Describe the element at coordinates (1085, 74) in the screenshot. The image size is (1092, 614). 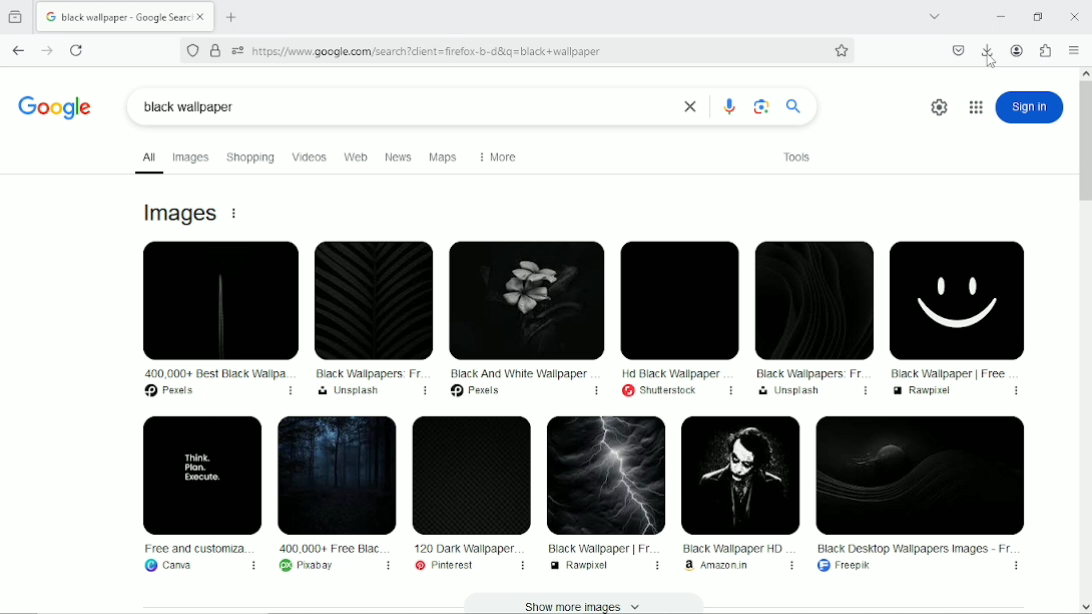
I see `scroll up` at that location.